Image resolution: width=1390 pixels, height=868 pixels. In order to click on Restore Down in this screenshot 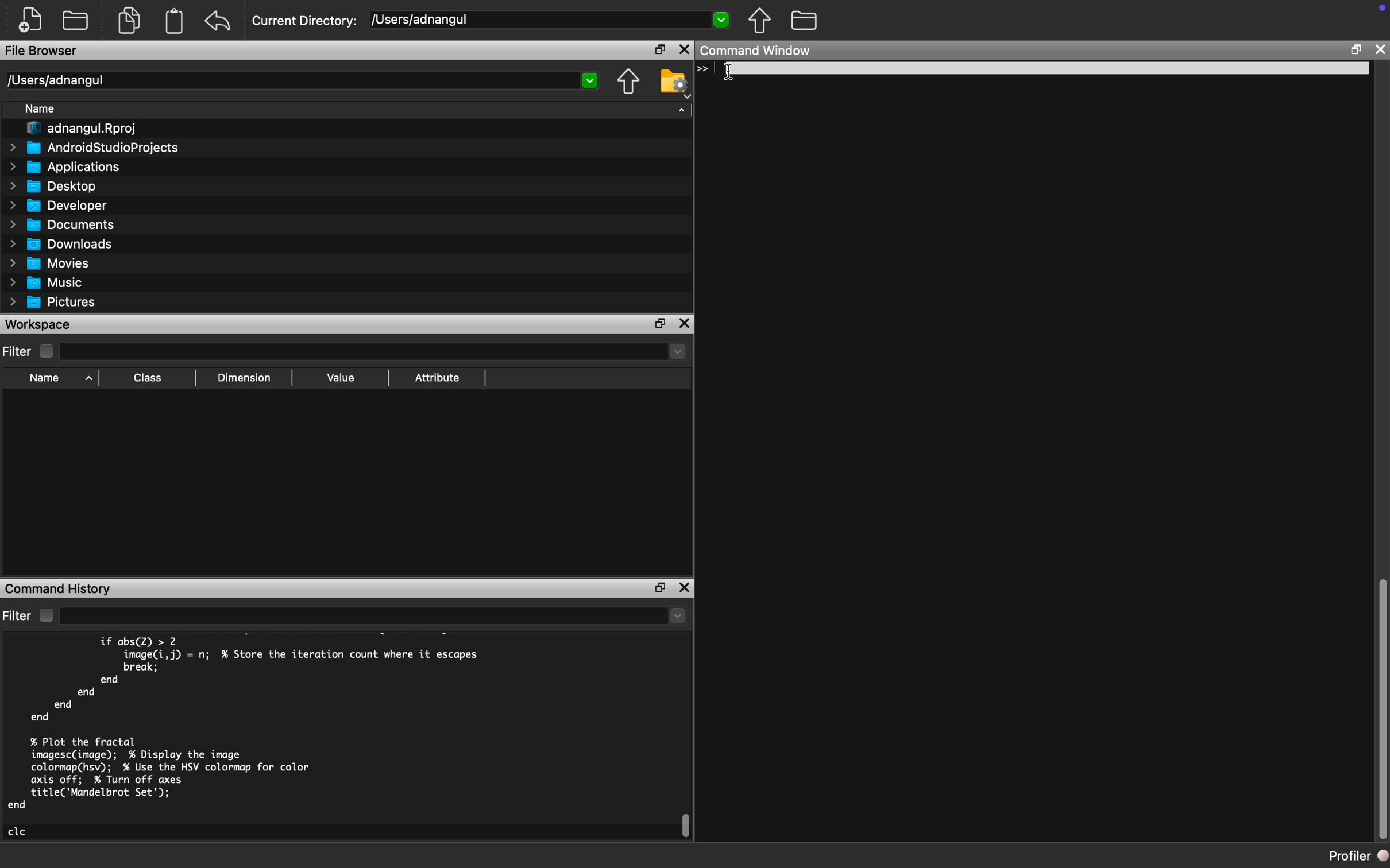, I will do `click(659, 322)`.